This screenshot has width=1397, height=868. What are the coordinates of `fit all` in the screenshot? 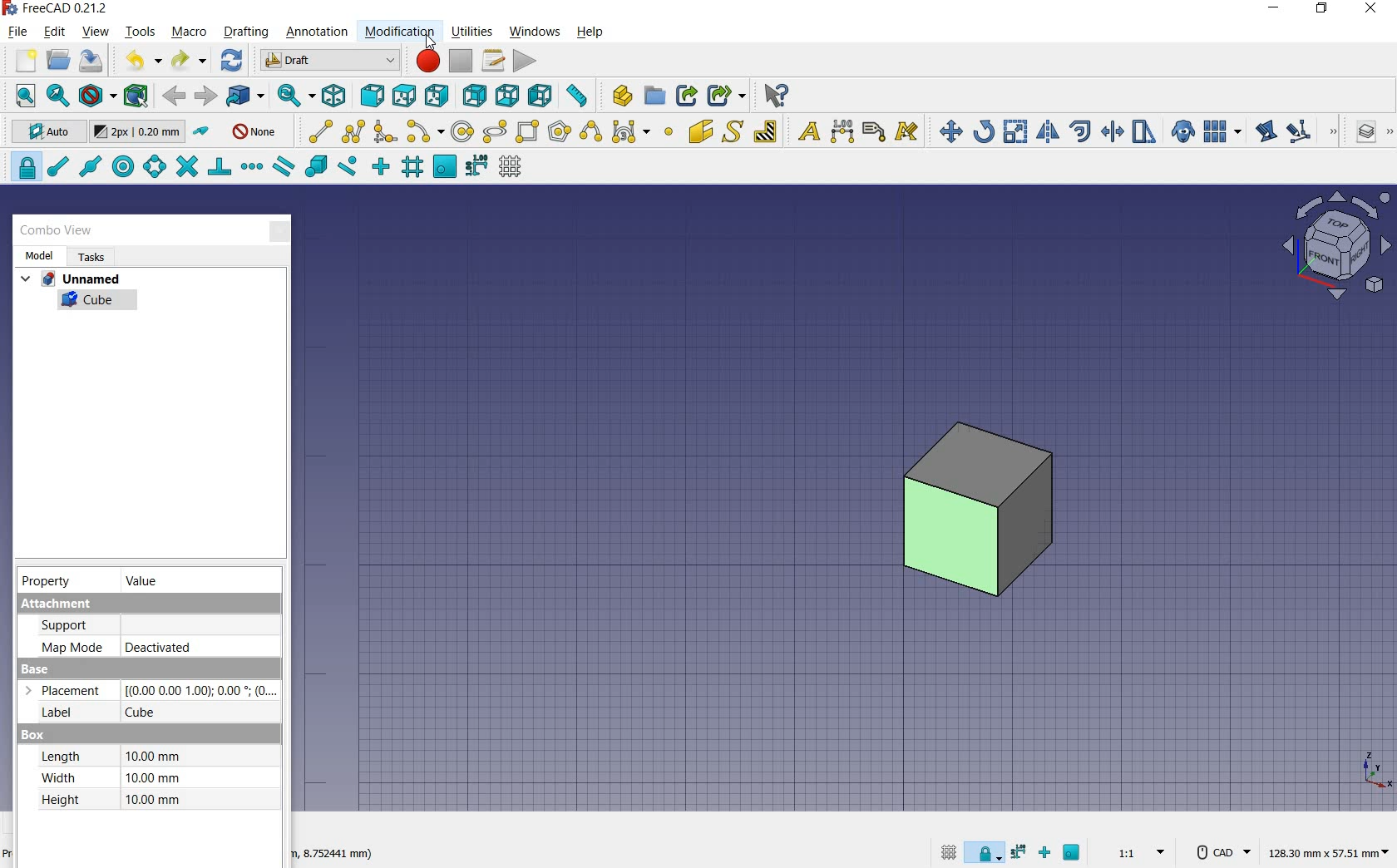 It's located at (20, 96).